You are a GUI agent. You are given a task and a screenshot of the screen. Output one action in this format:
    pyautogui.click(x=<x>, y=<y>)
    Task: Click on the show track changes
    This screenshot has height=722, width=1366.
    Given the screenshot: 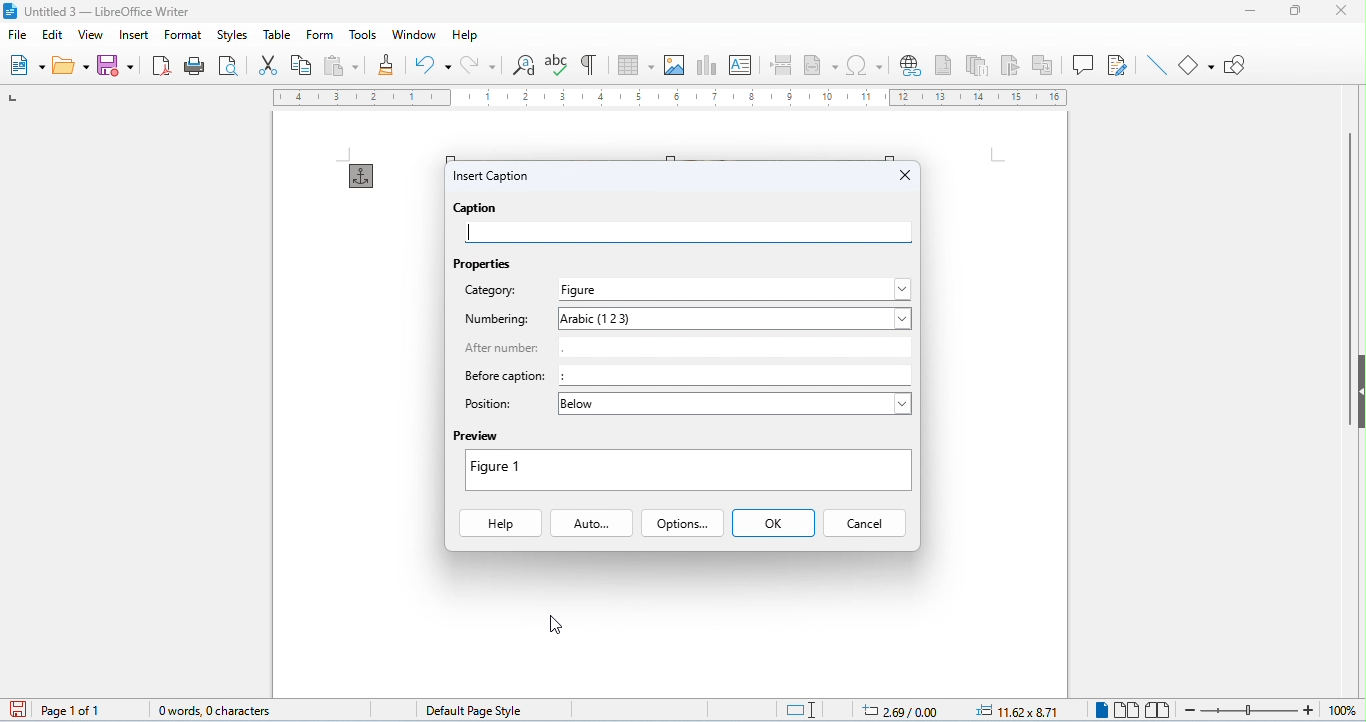 What is the action you would take?
    pyautogui.click(x=1118, y=65)
    